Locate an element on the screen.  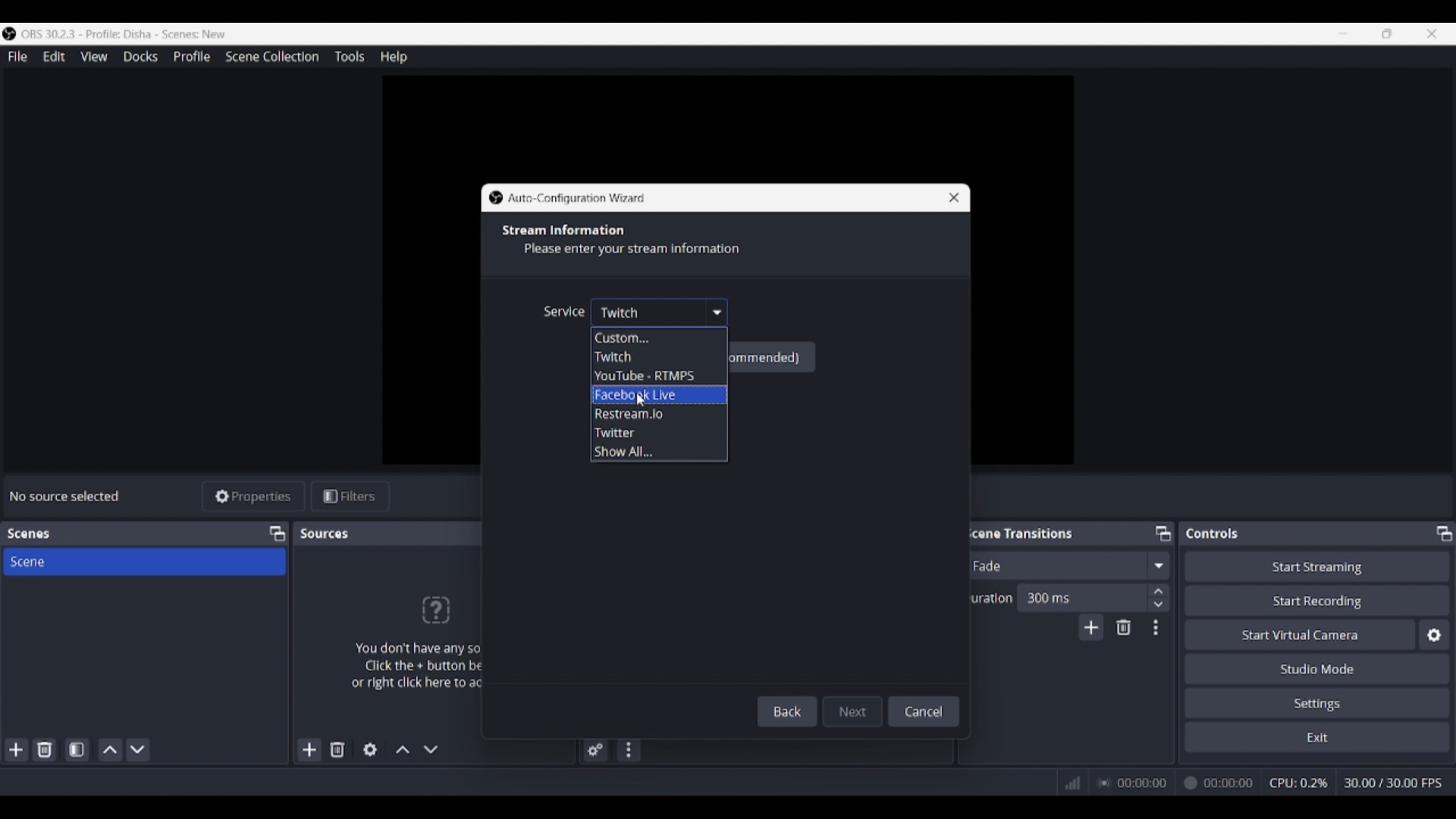
Delete selected scene is located at coordinates (44, 749).